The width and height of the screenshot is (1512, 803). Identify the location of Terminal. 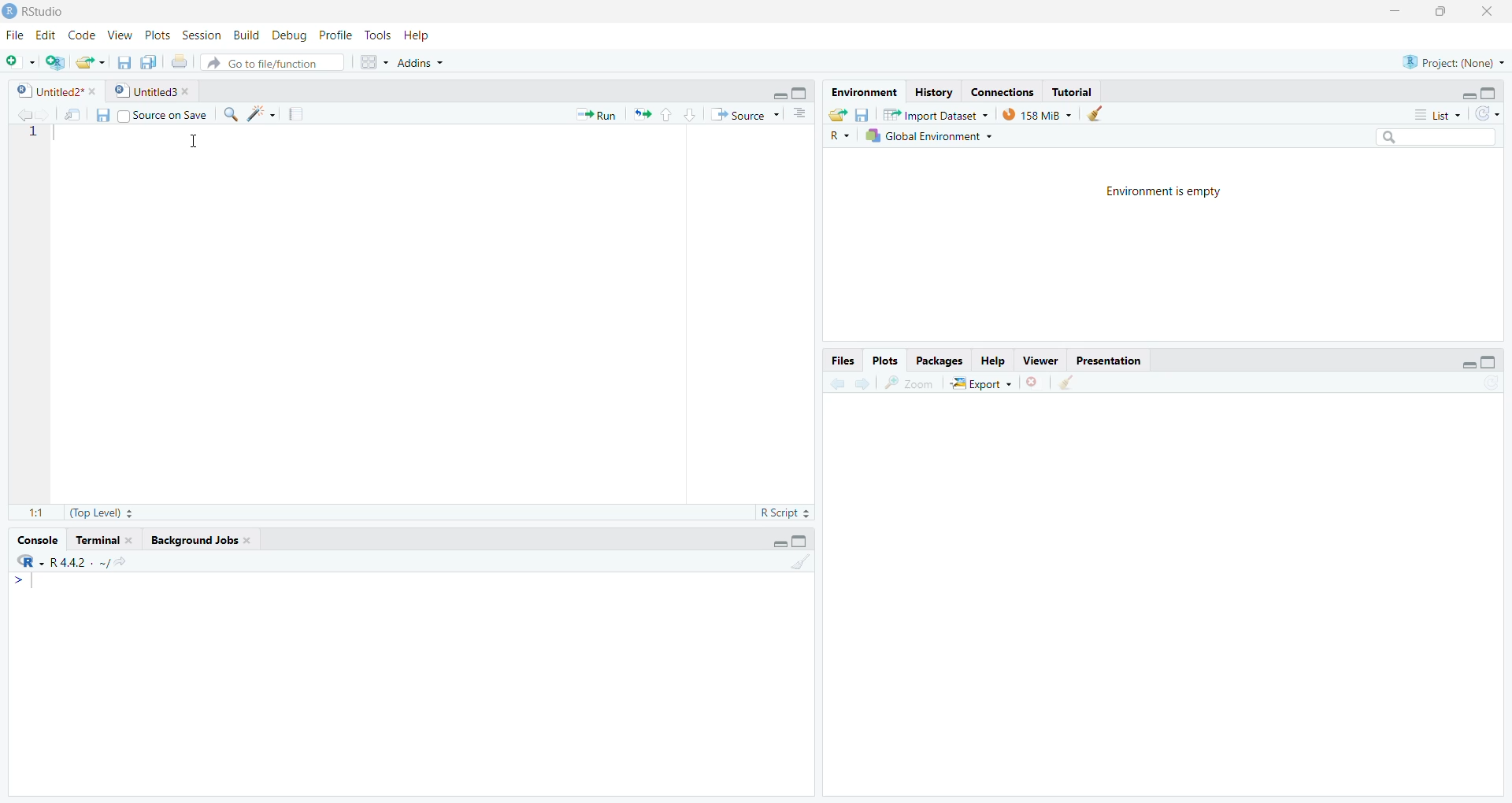
(105, 538).